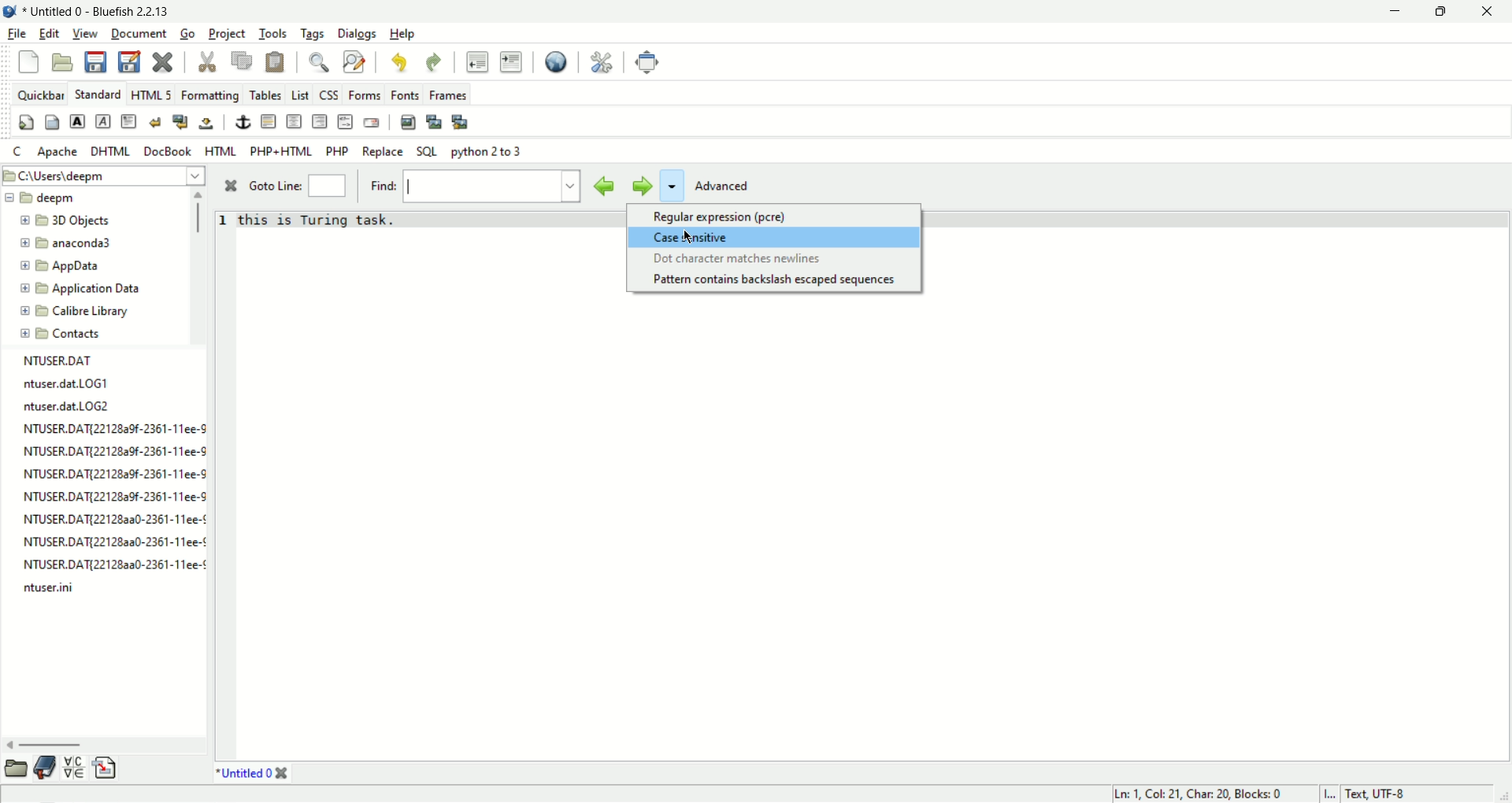 The image size is (1512, 803). Describe the element at coordinates (212, 97) in the screenshot. I see `formatting` at that location.